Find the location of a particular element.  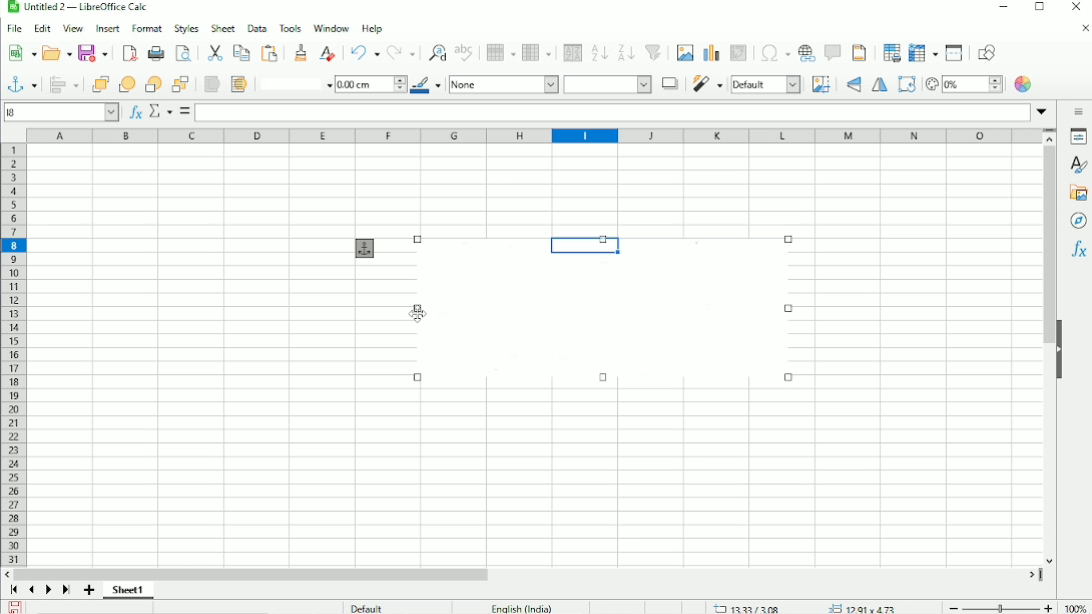

Image Resized is located at coordinates (608, 321).